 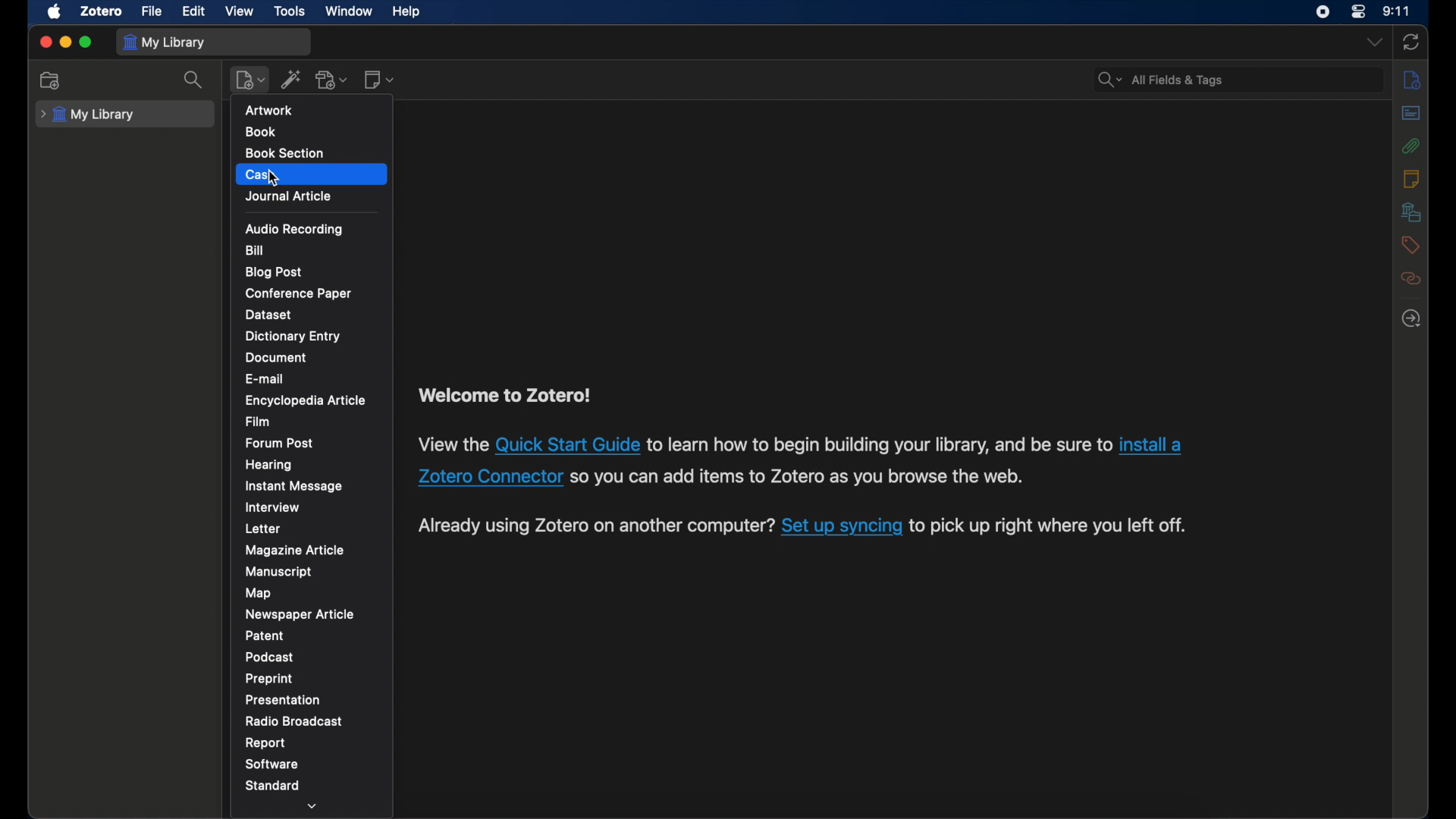 What do you see at coordinates (270, 314) in the screenshot?
I see `dataset` at bounding box center [270, 314].